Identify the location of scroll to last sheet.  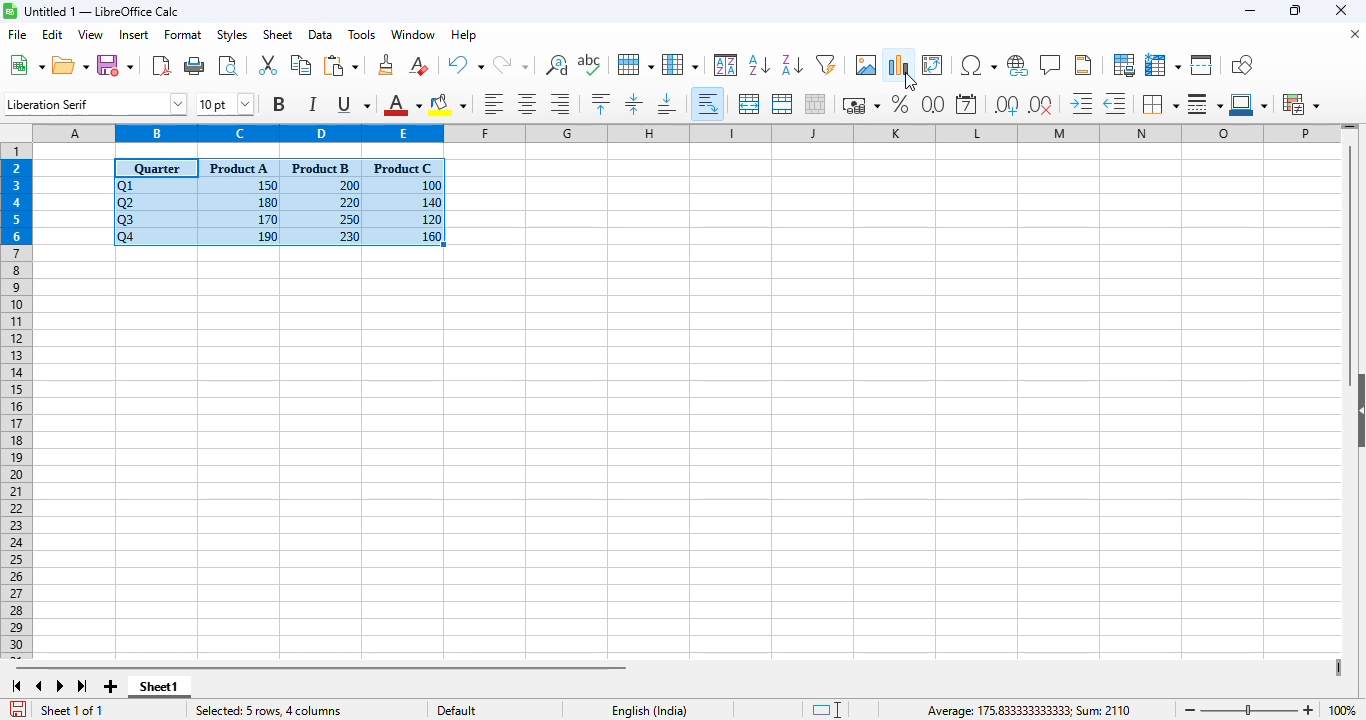
(83, 687).